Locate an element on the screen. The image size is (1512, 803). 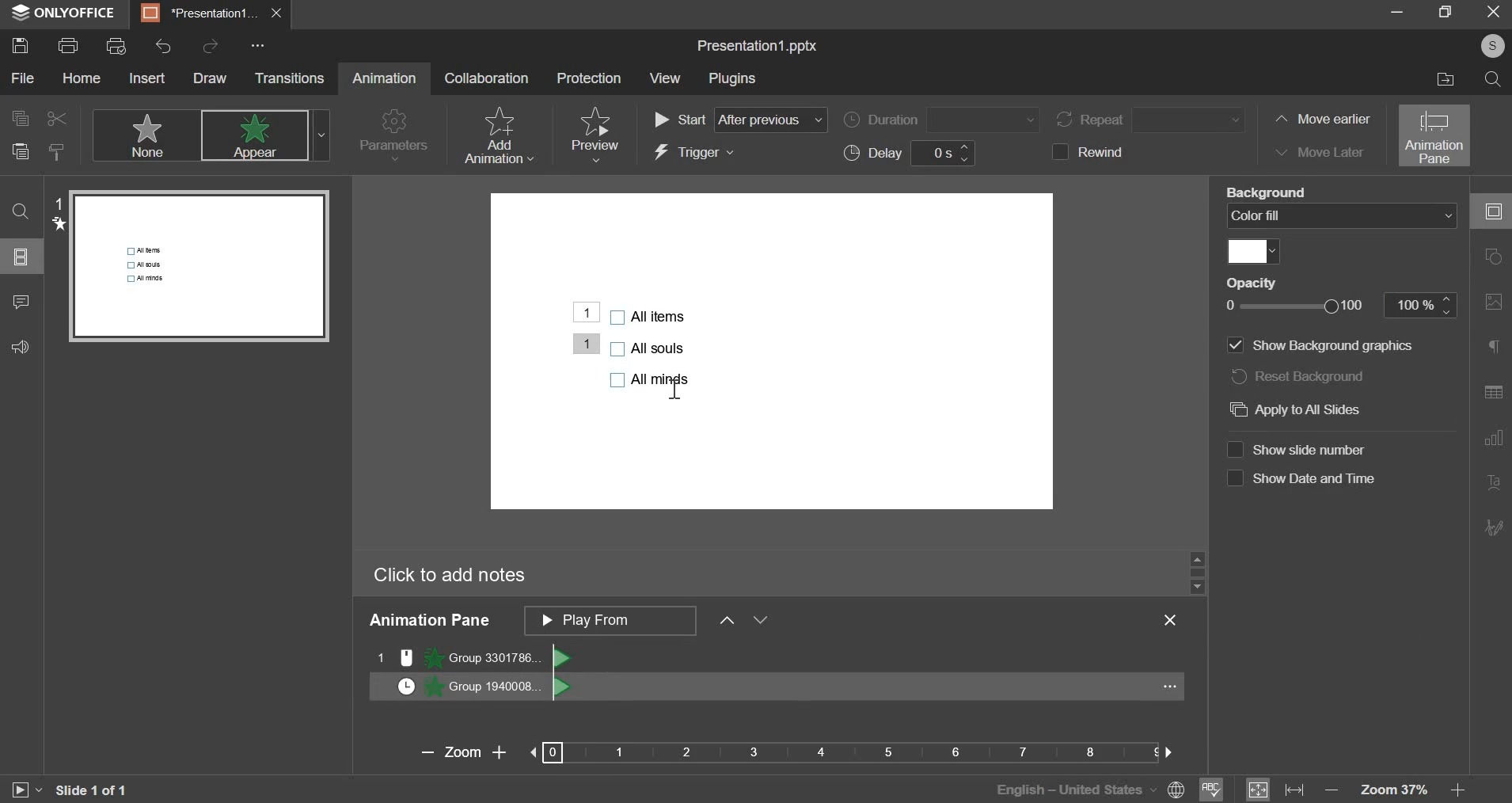
slide preview is located at coordinates (200, 268).